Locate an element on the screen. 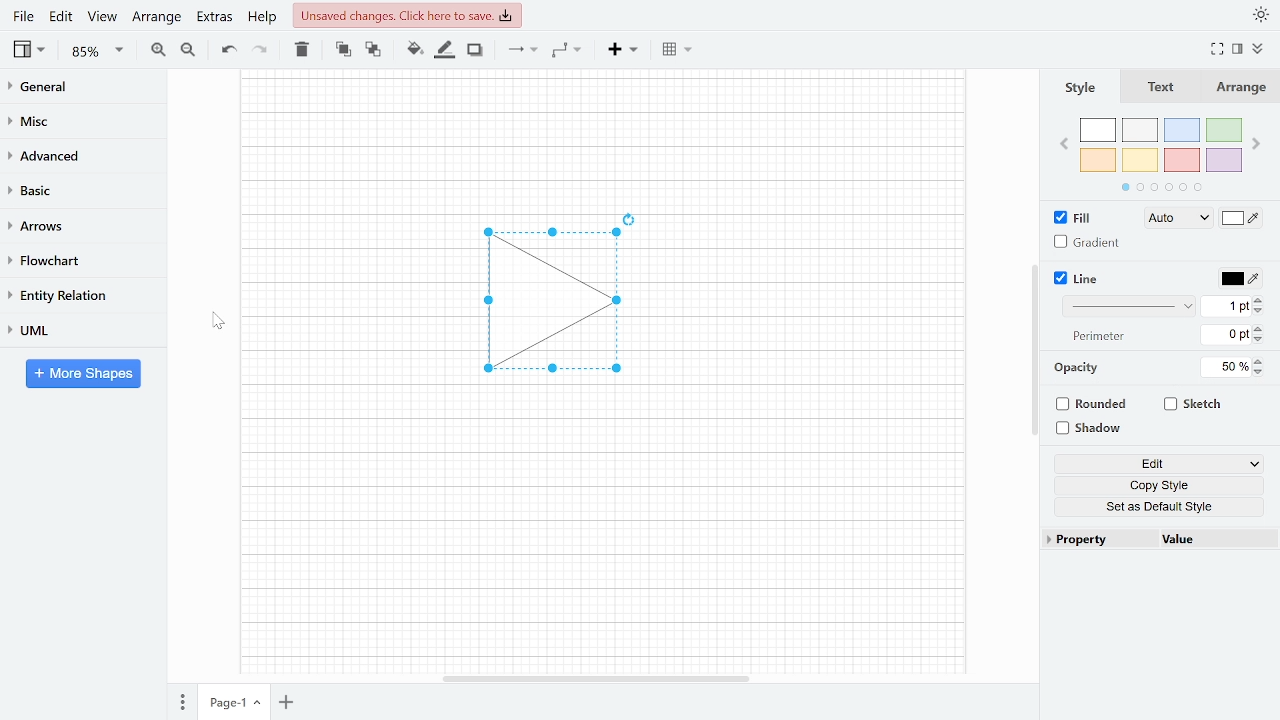 This screenshot has height=720, width=1280. Zoom in is located at coordinates (158, 49).